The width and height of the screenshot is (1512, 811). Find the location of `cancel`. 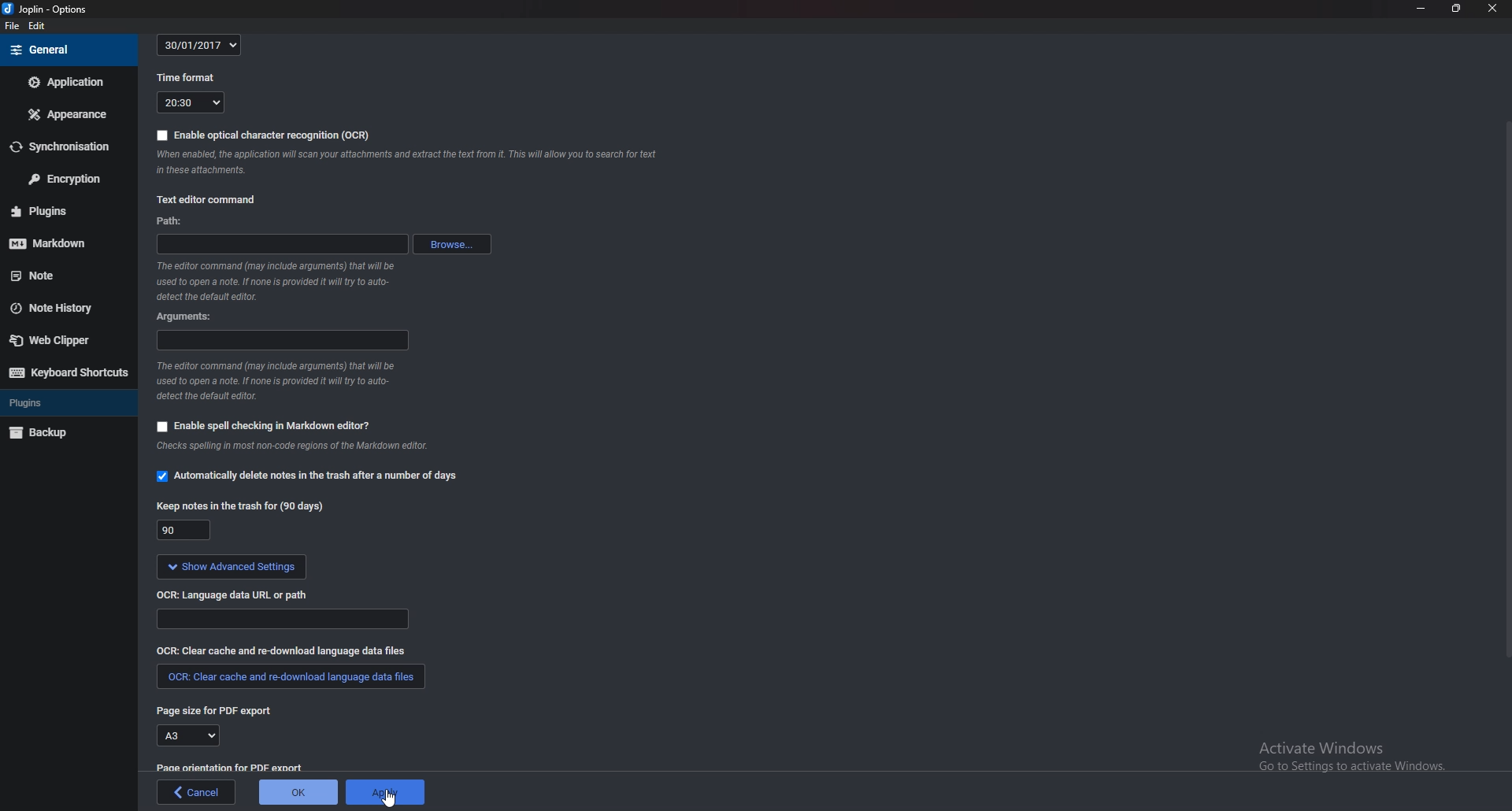

cancel is located at coordinates (197, 792).